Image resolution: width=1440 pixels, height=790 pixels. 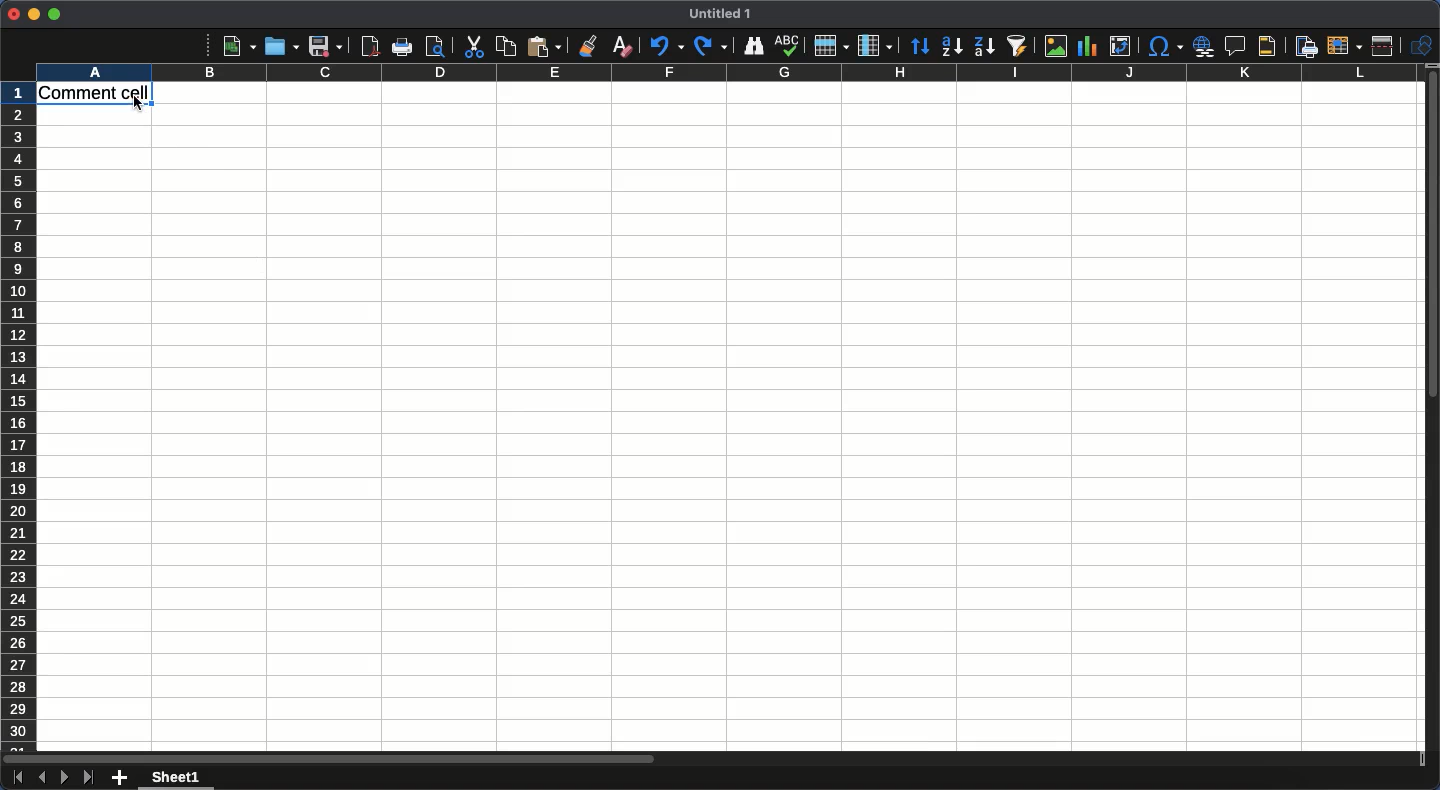 I want to click on Clear formatting, so click(x=625, y=46).